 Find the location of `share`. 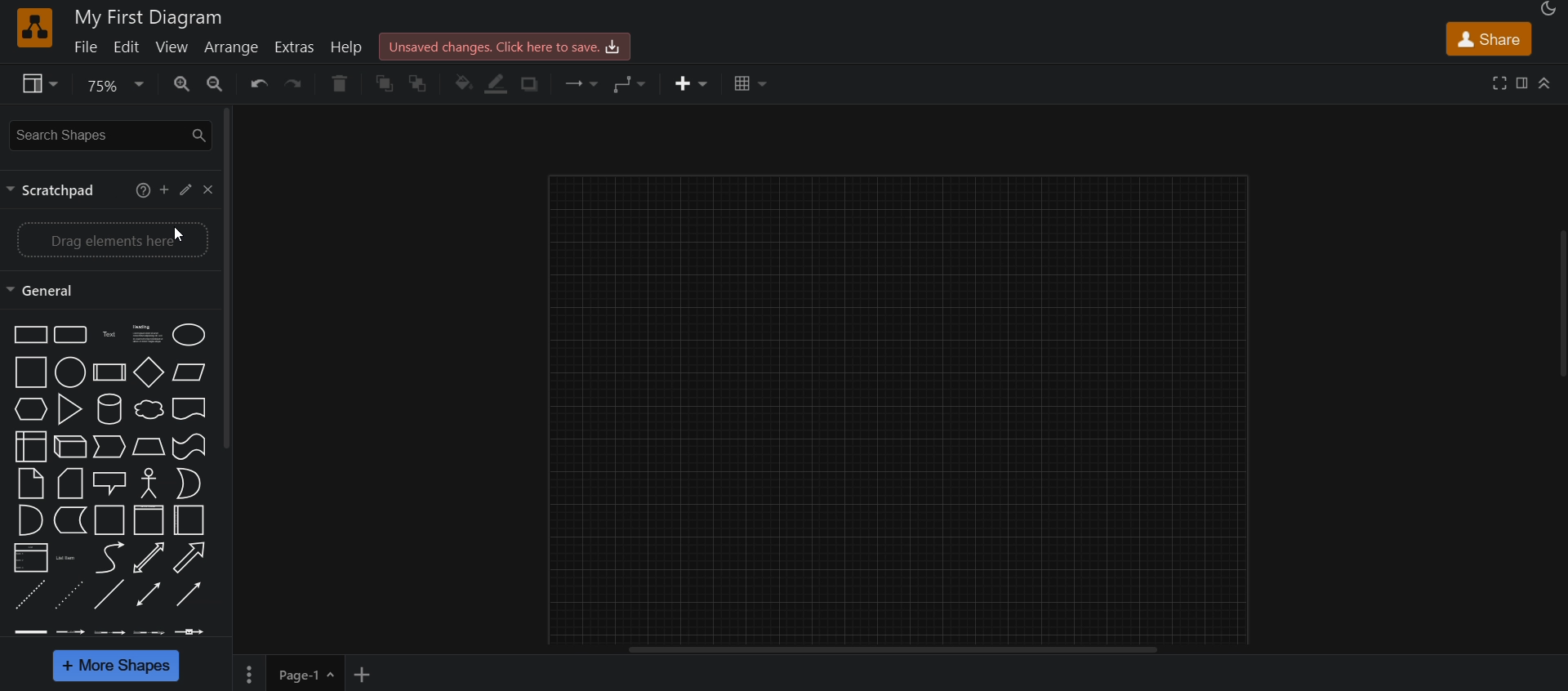

share is located at coordinates (1488, 38).